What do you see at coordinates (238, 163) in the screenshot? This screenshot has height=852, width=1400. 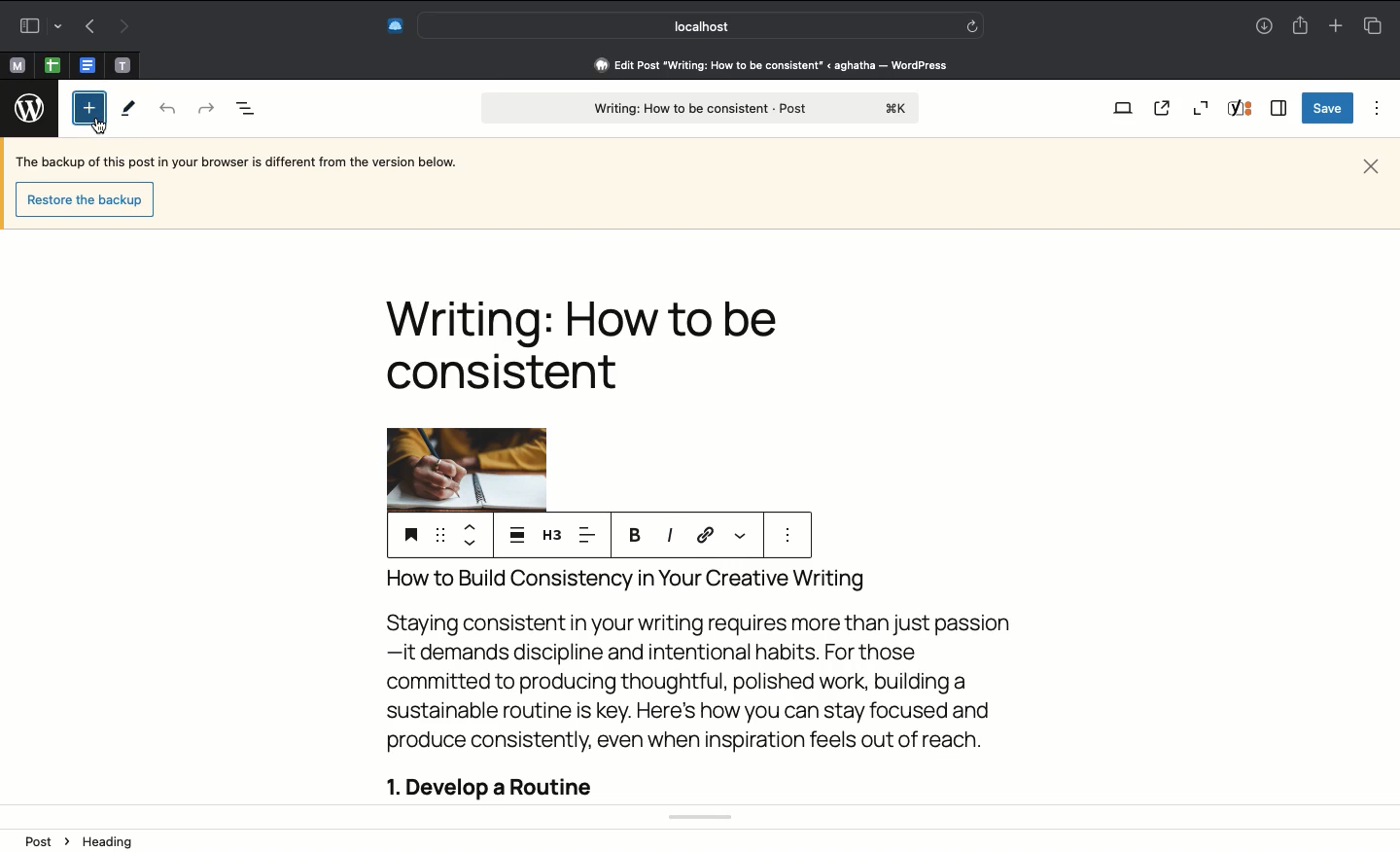 I see `Sentence about backup ` at bounding box center [238, 163].